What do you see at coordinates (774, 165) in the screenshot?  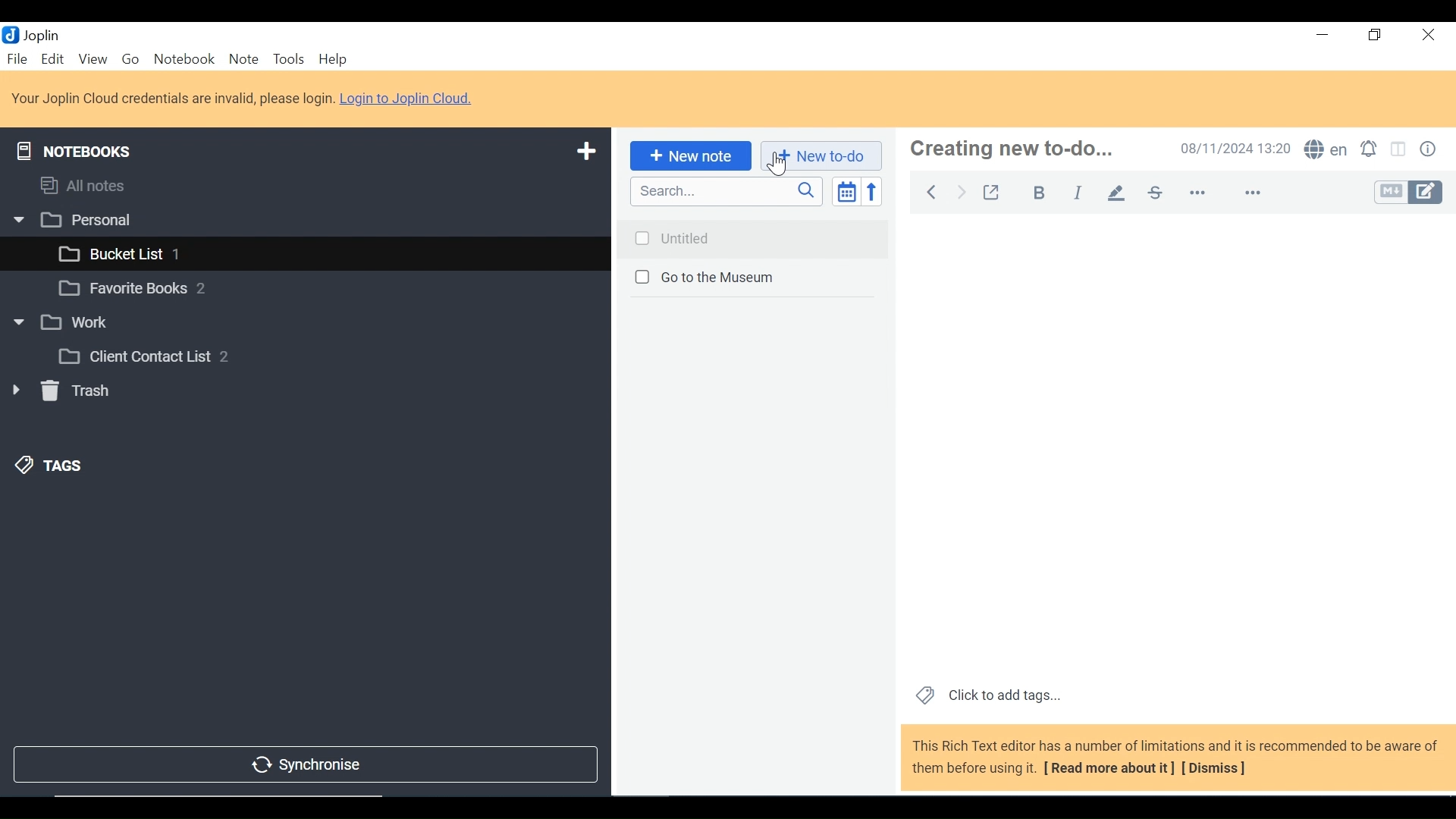 I see `cursor` at bounding box center [774, 165].